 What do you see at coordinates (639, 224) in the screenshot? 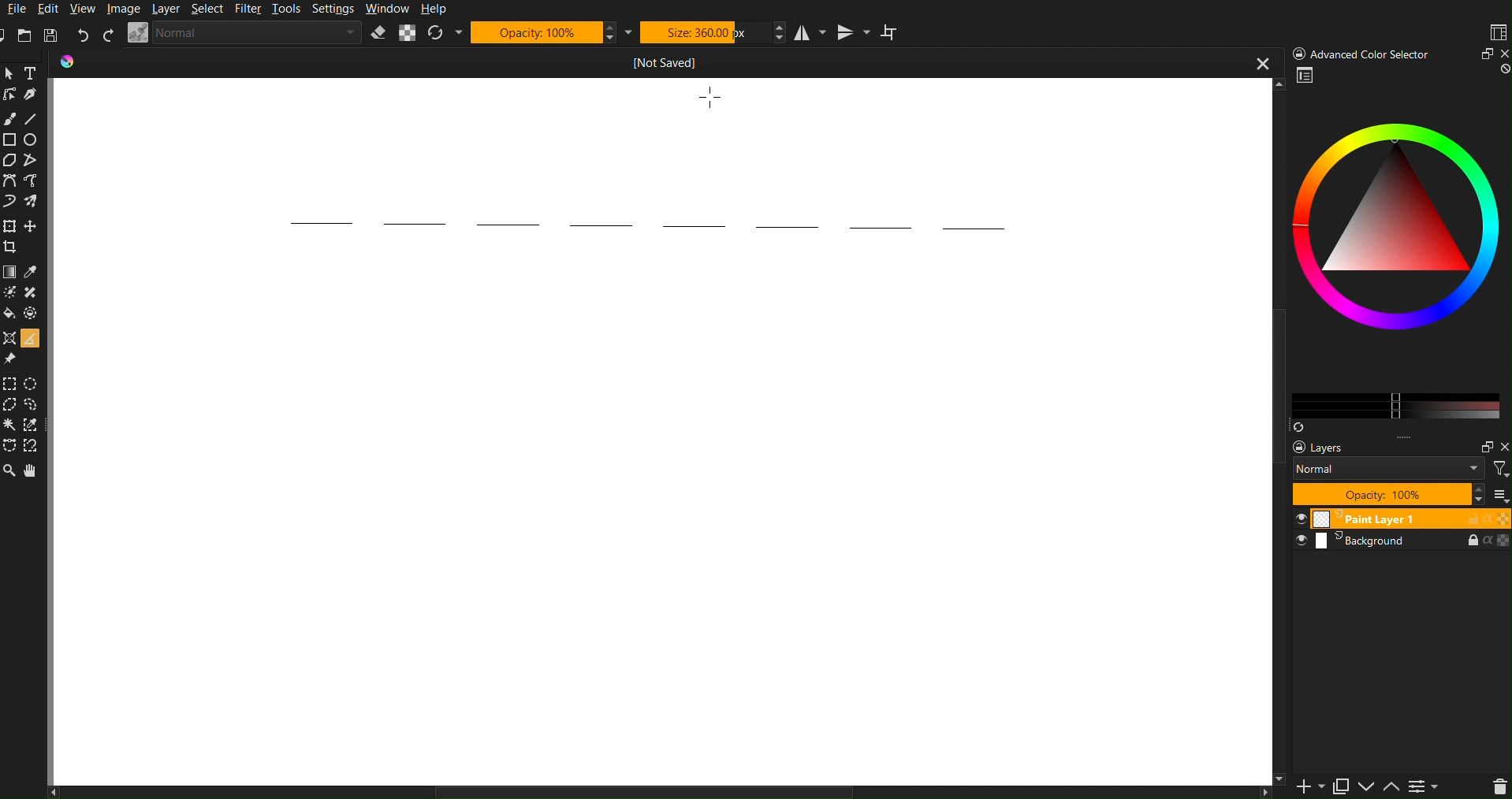
I see `Measurement Line` at bounding box center [639, 224].